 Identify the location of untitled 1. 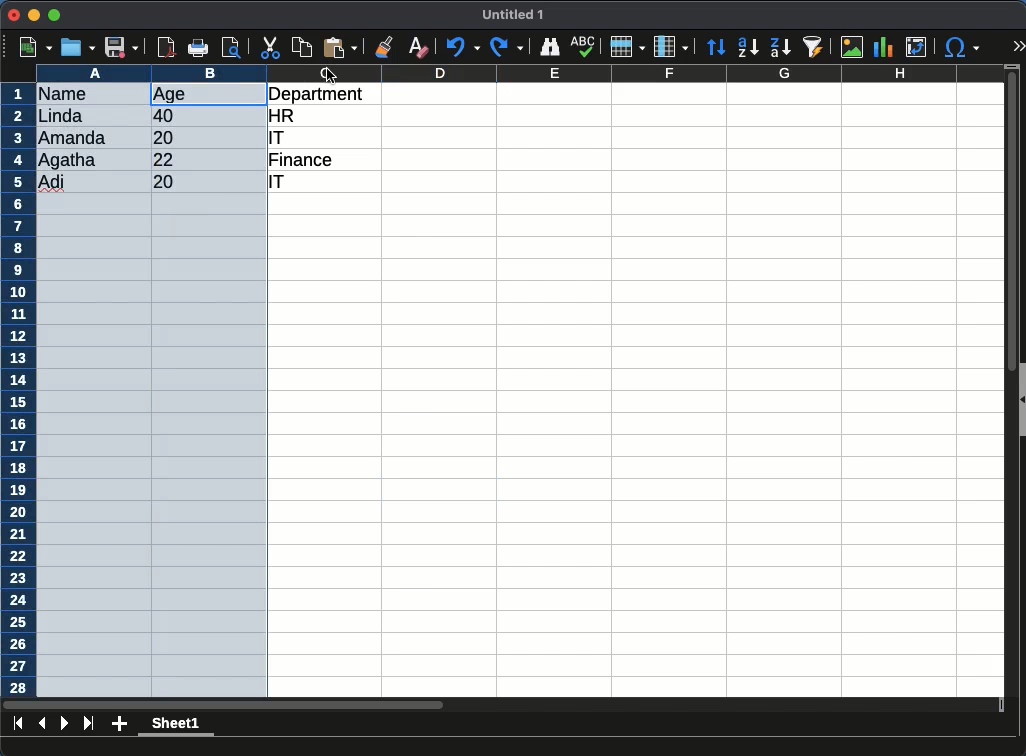
(514, 15).